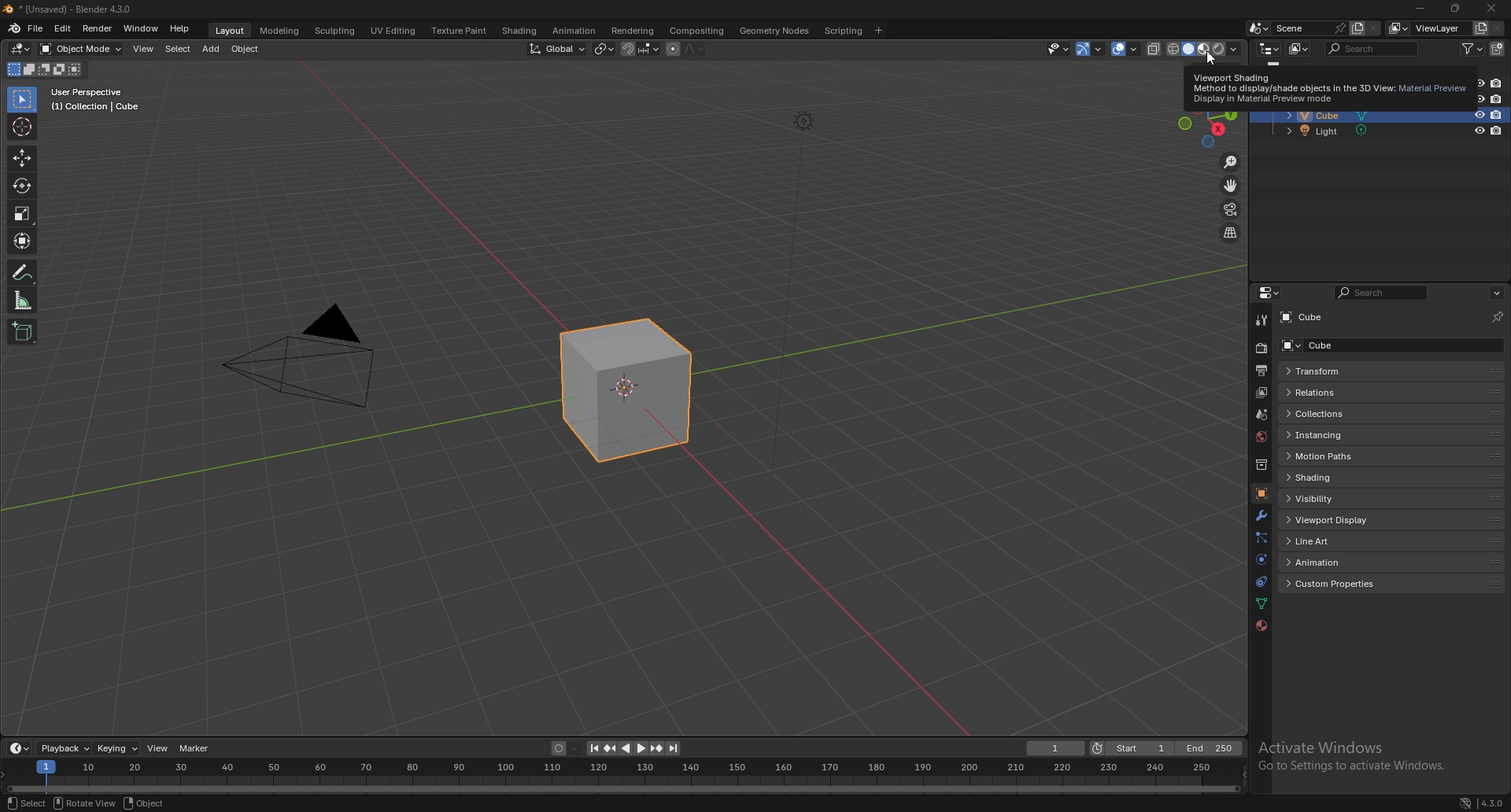 The width and height of the screenshot is (1511, 812). Describe the element at coordinates (1232, 233) in the screenshot. I see `perspective/orthographic` at that location.